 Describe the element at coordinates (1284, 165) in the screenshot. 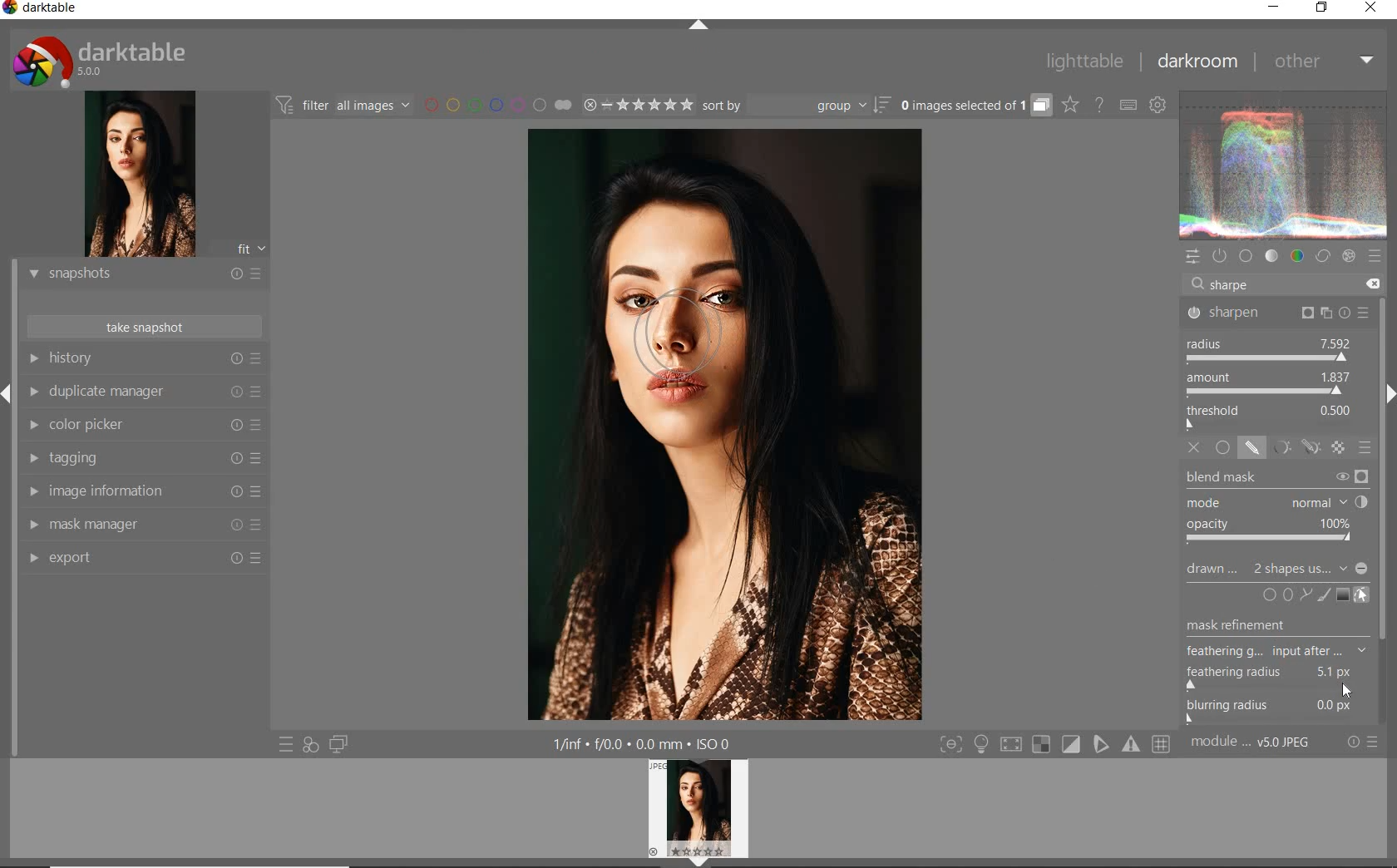

I see `waveform` at that location.